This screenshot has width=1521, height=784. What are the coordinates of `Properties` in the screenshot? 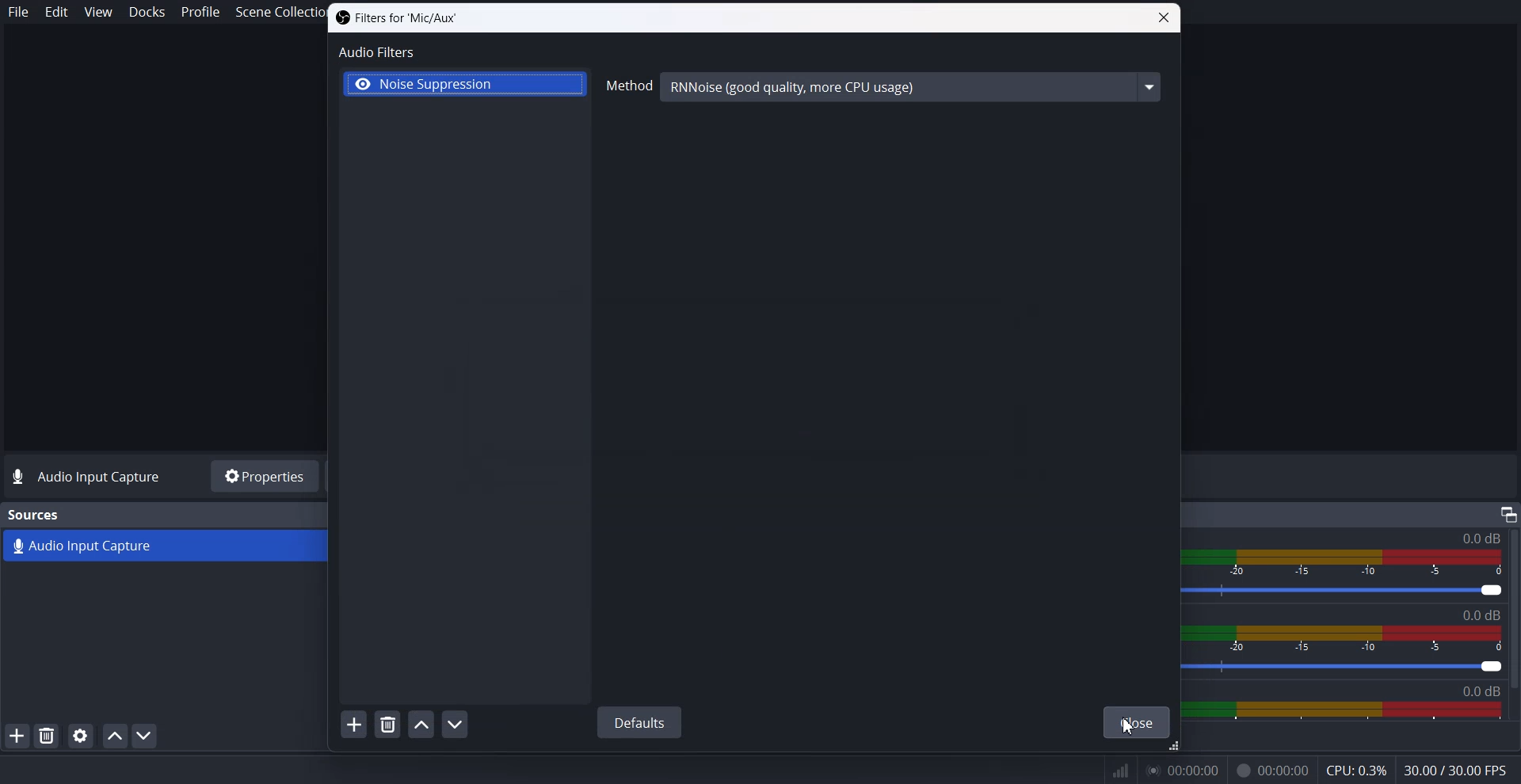 It's located at (263, 476).